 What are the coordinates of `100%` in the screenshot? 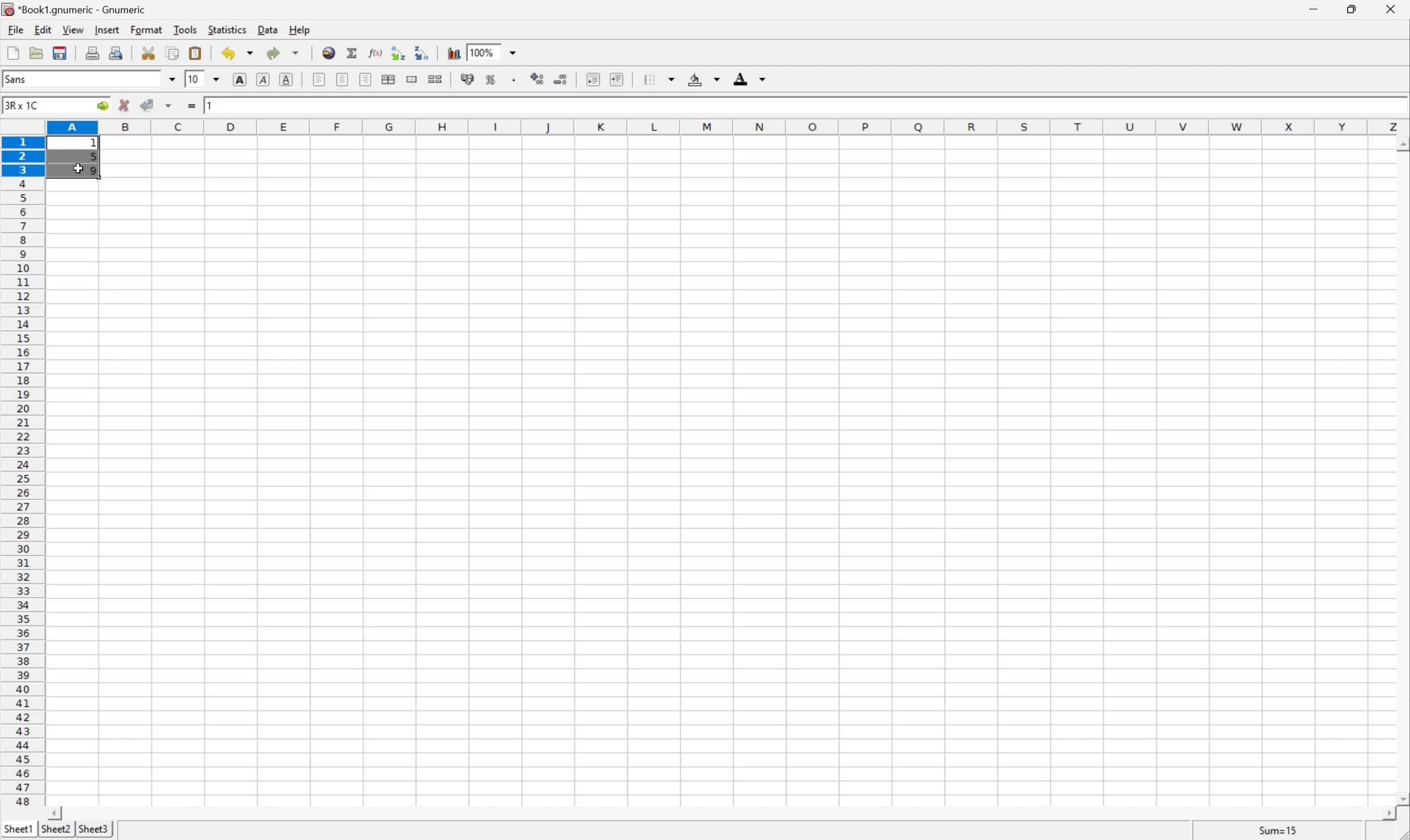 It's located at (481, 52).